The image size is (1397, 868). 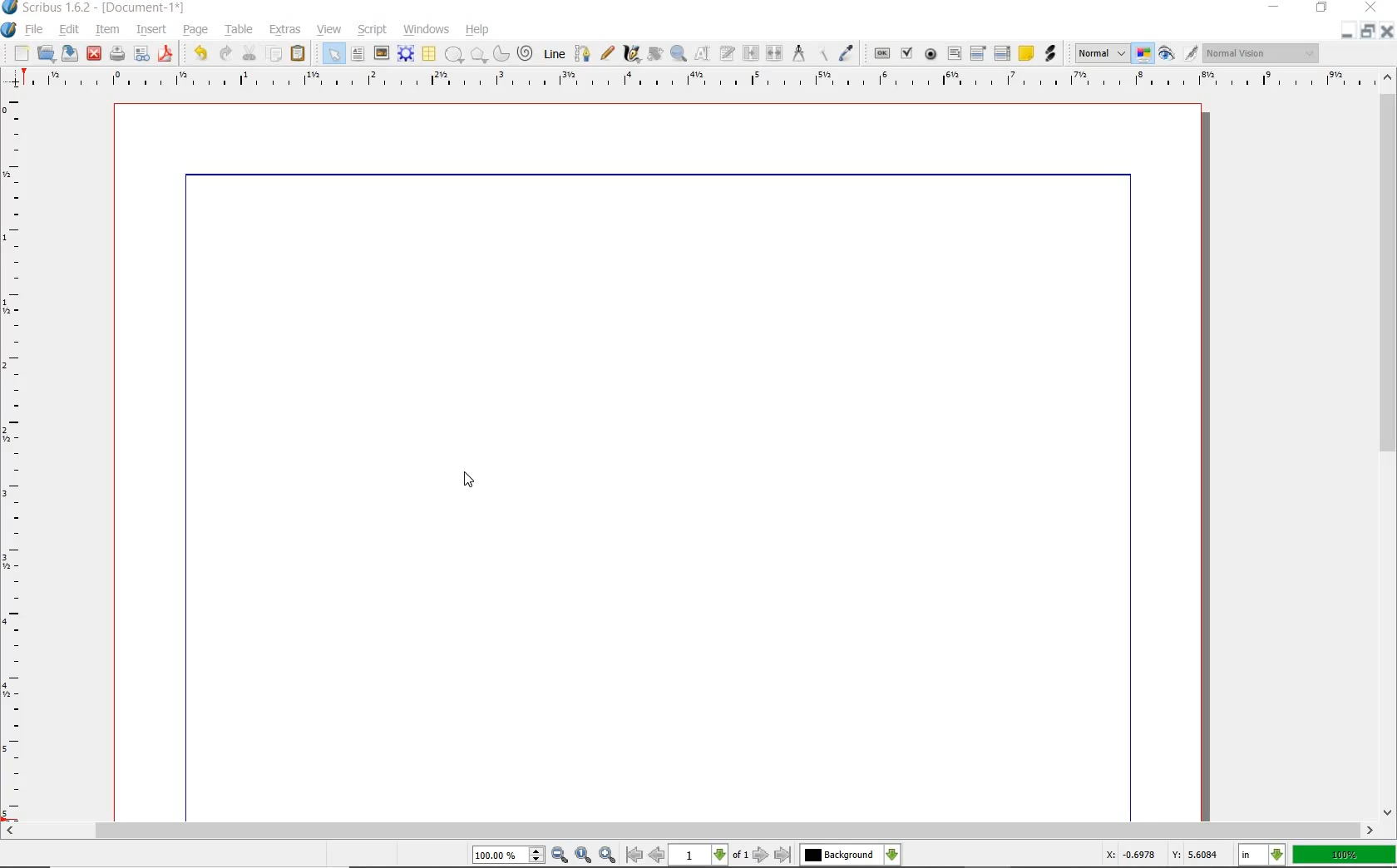 I want to click on ITEM, so click(x=108, y=28).